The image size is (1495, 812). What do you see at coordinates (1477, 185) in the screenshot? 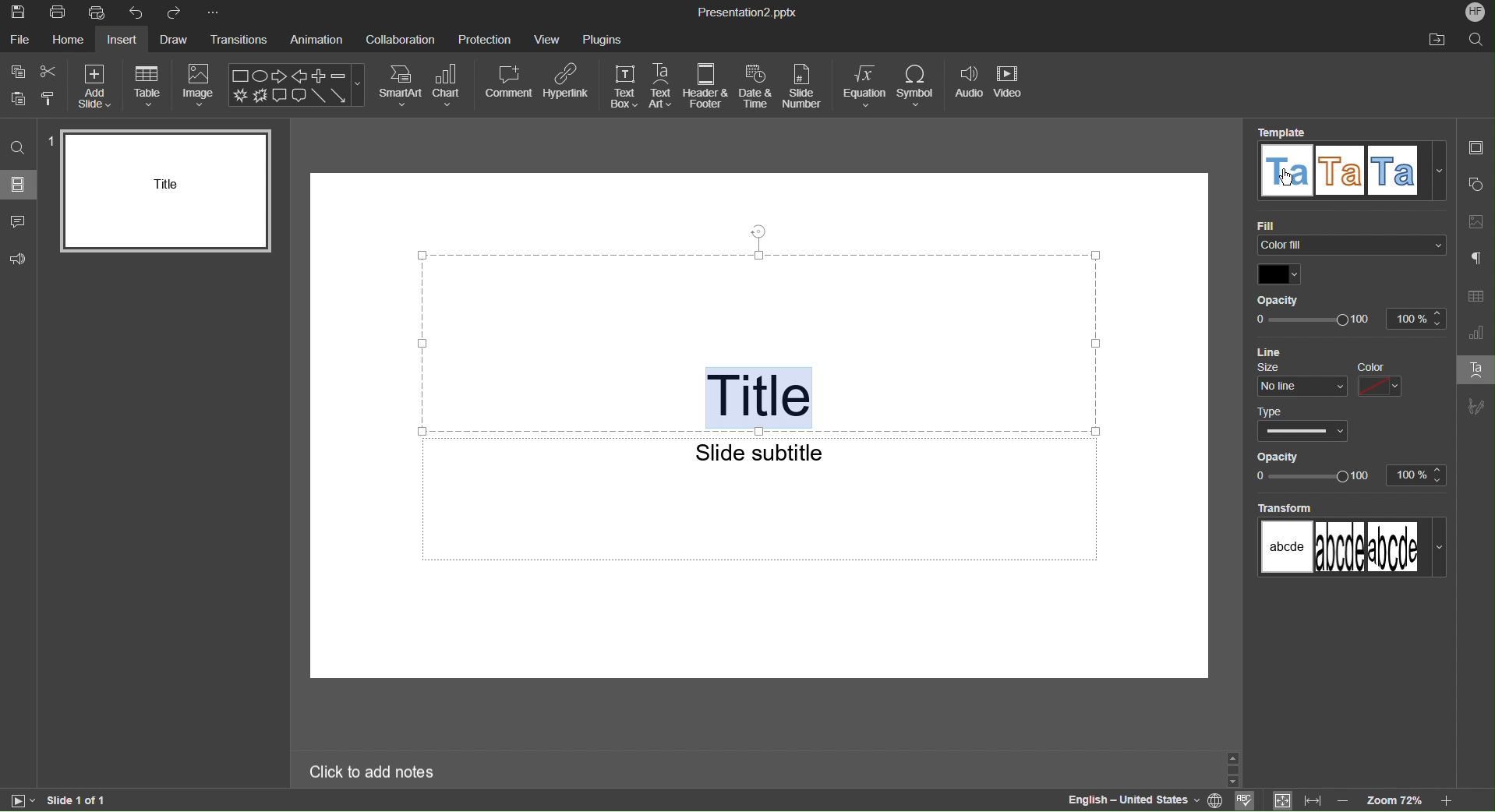
I see `Shape Settings` at bounding box center [1477, 185].